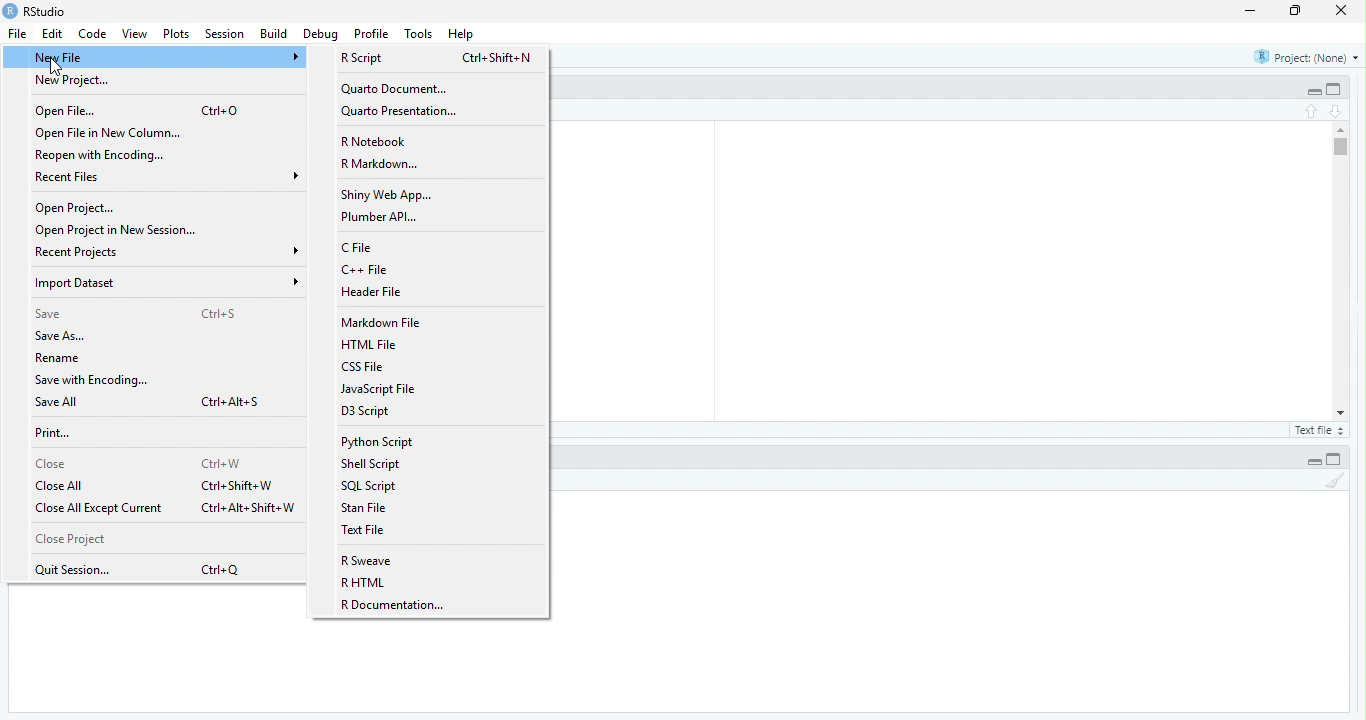 Image resolution: width=1366 pixels, height=720 pixels. What do you see at coordinates (169, 282) in the screenshot?
I see `Import Dataset` at bounding box center [169, 282].